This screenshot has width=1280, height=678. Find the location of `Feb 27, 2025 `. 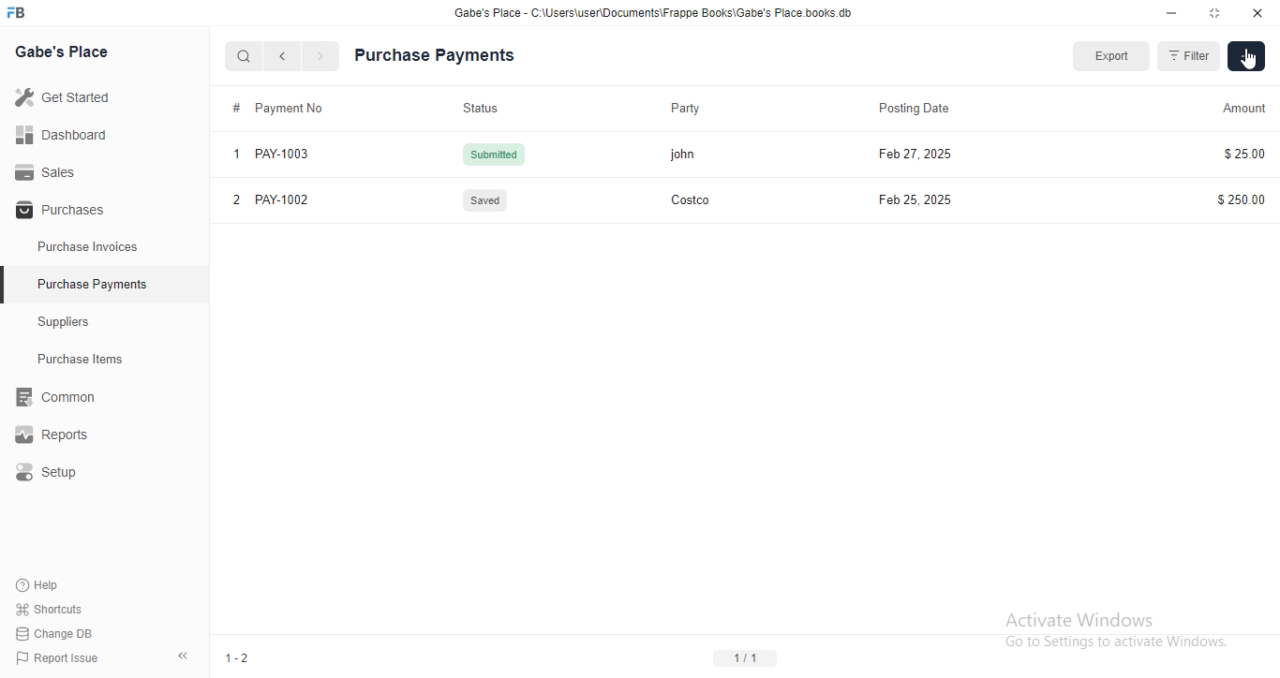

Feb 27, 2025  is located at coordinates (918, 153).